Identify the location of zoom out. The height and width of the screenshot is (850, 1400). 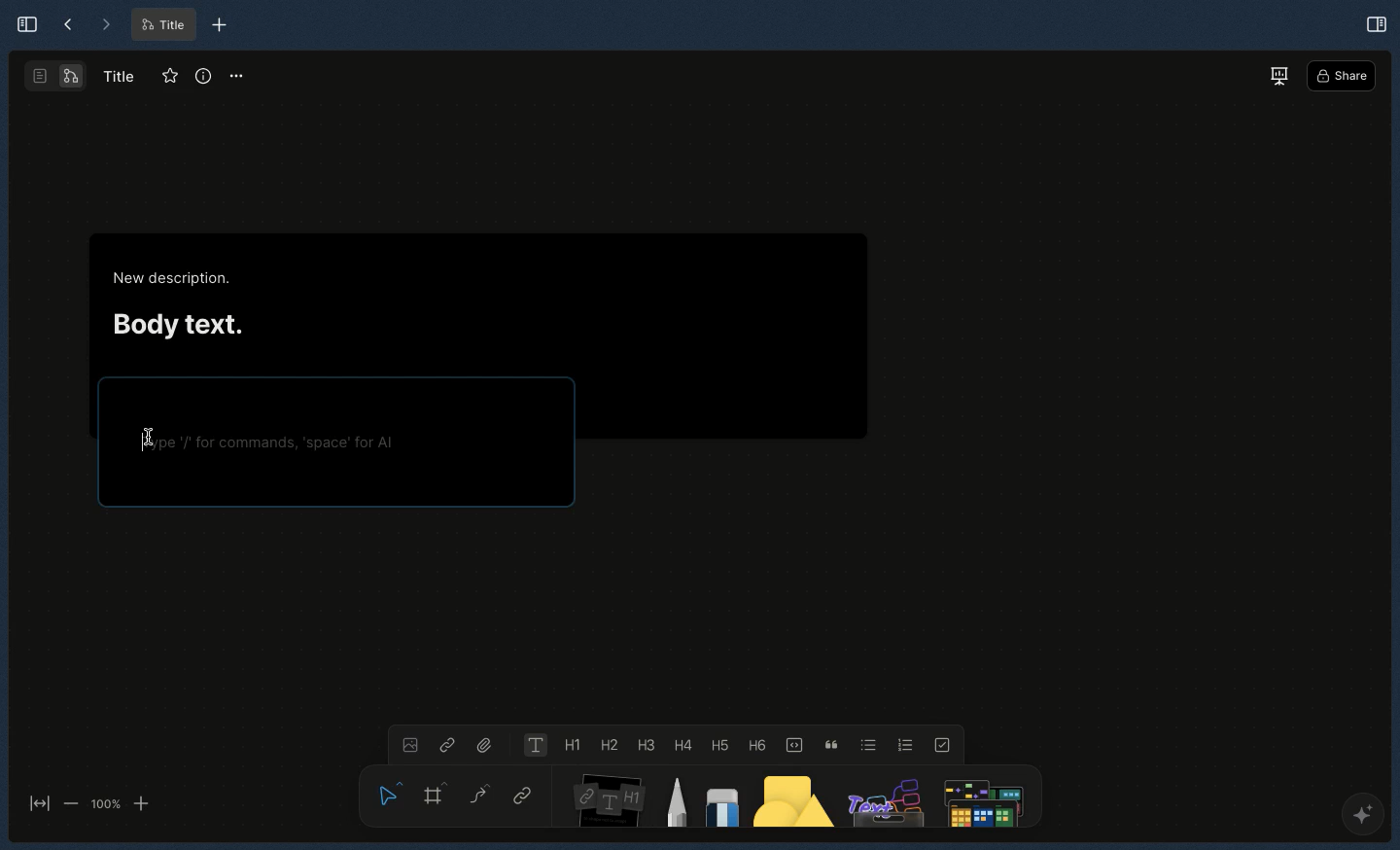
(70, 802).